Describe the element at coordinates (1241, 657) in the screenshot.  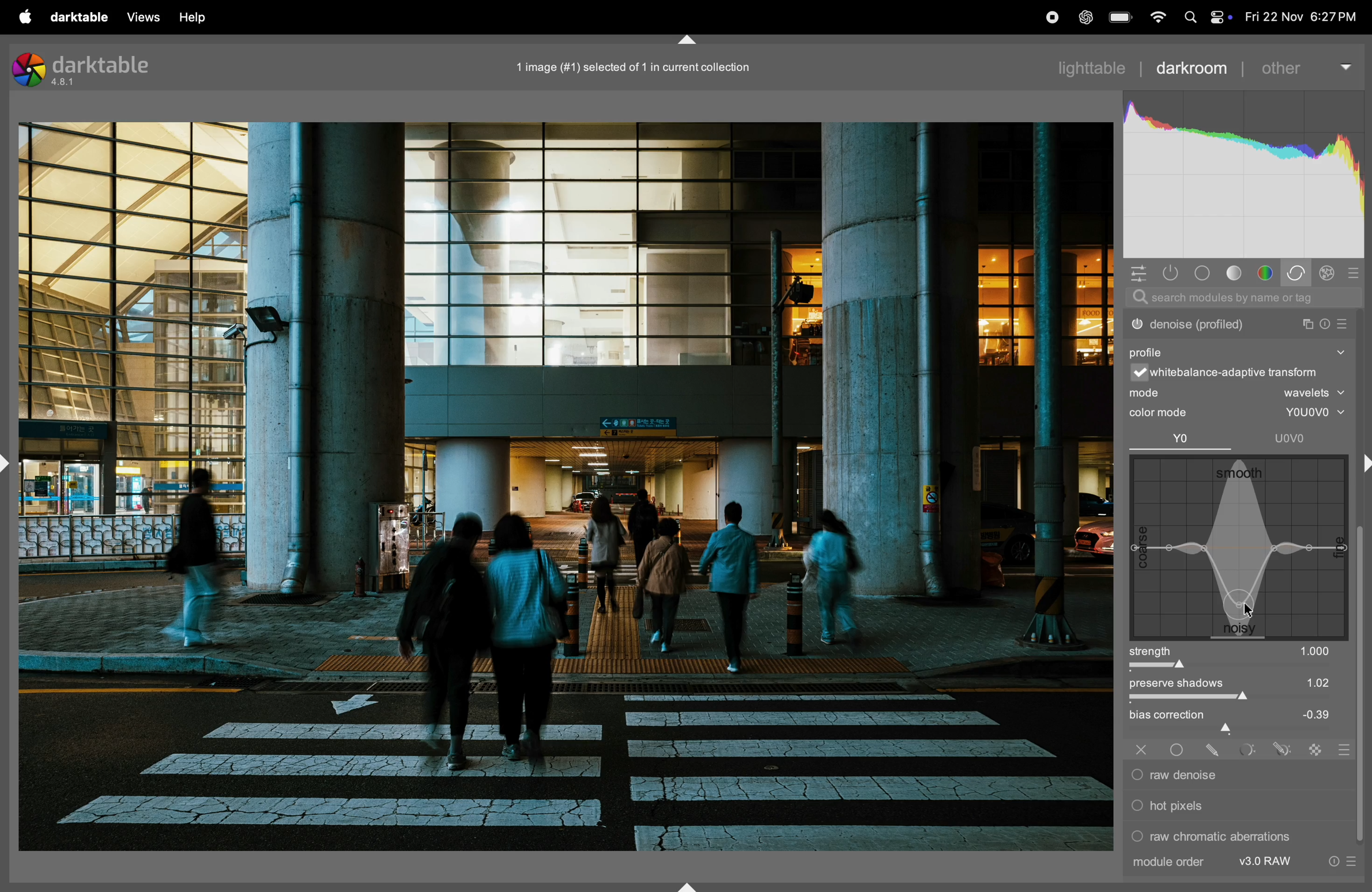
I see `strength` at that location.